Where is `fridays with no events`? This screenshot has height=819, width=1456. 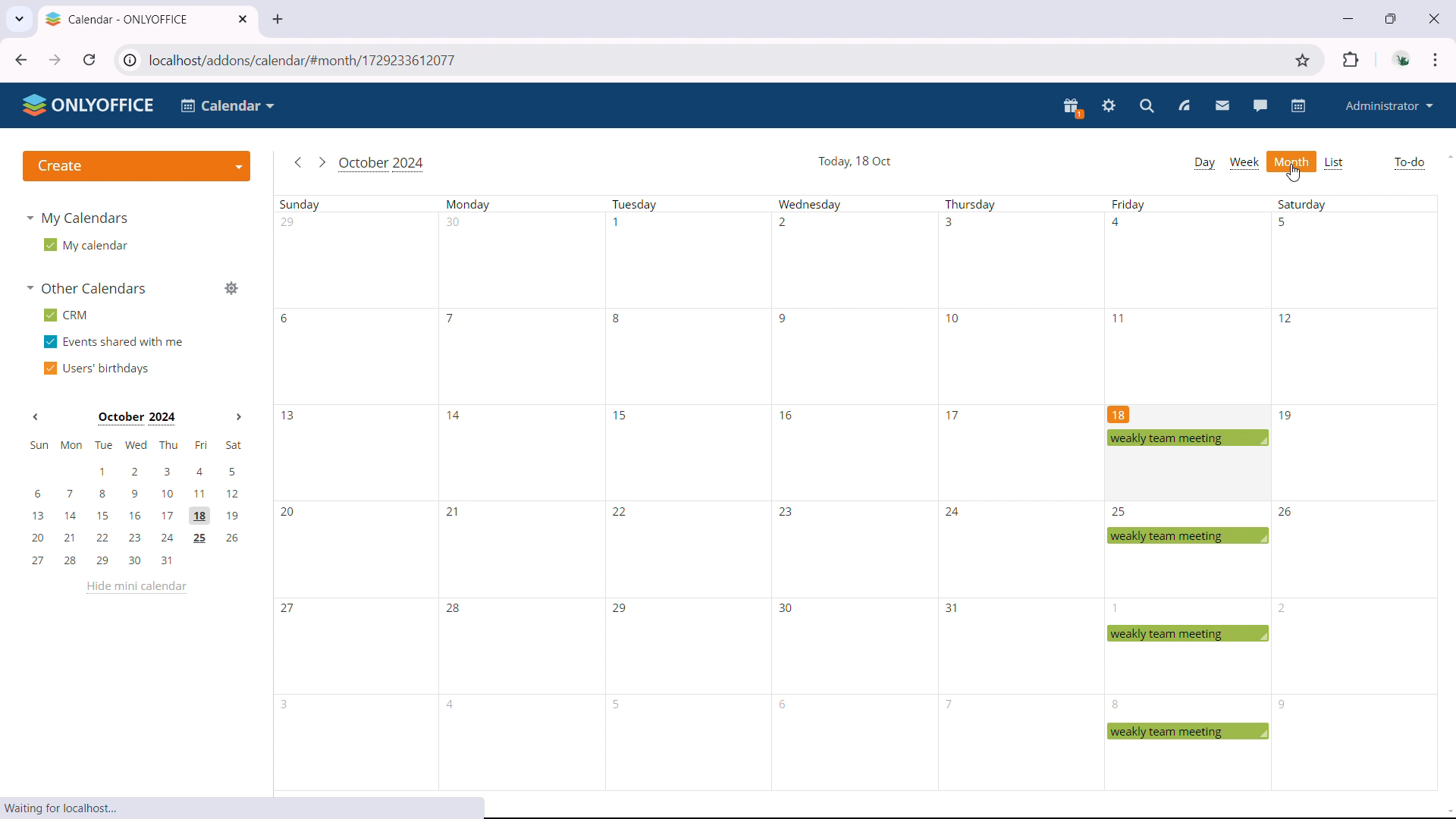
fridays with no events is located at coordinates (1188, 297).